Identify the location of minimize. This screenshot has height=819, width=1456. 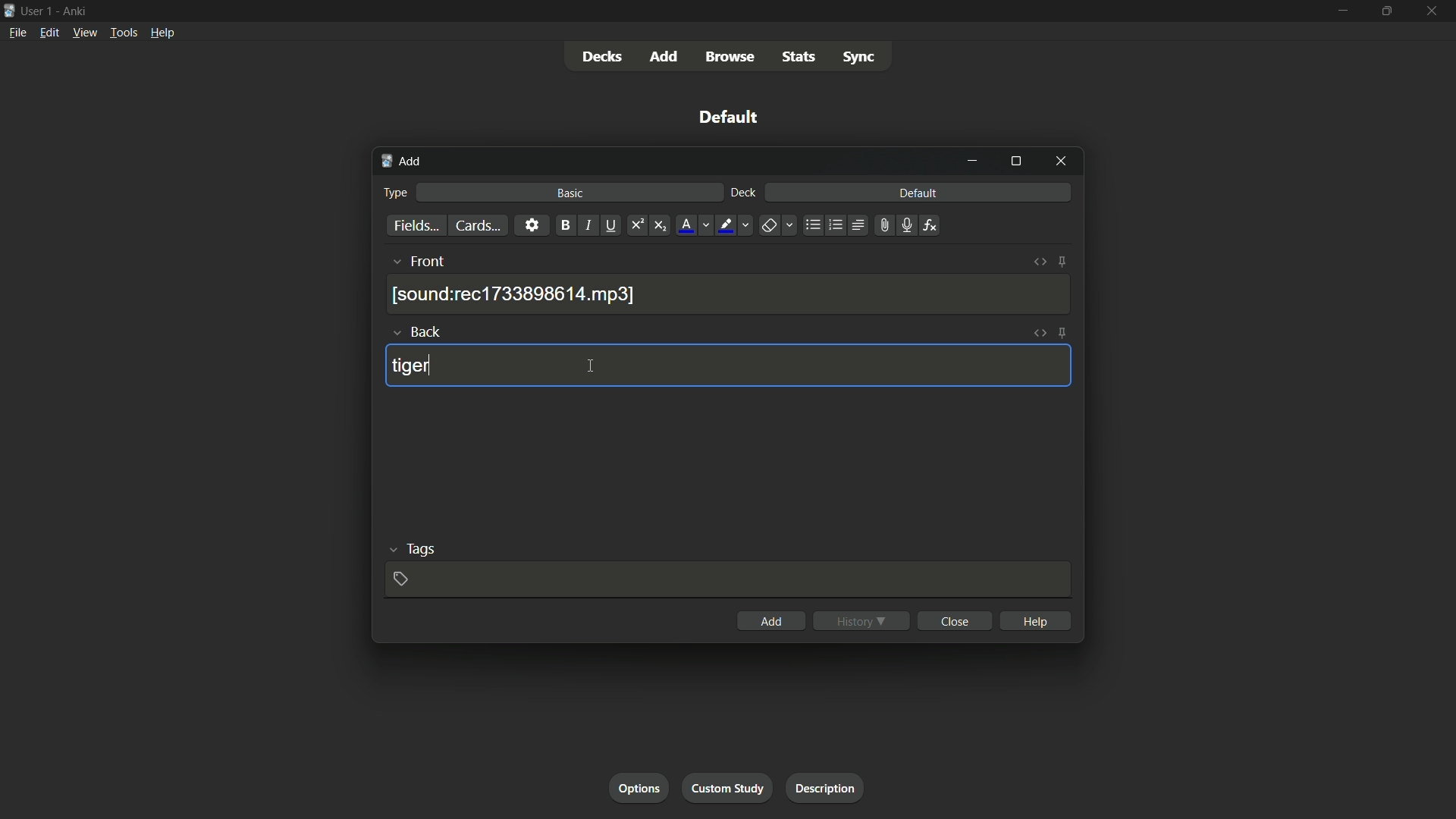
(974, 161).